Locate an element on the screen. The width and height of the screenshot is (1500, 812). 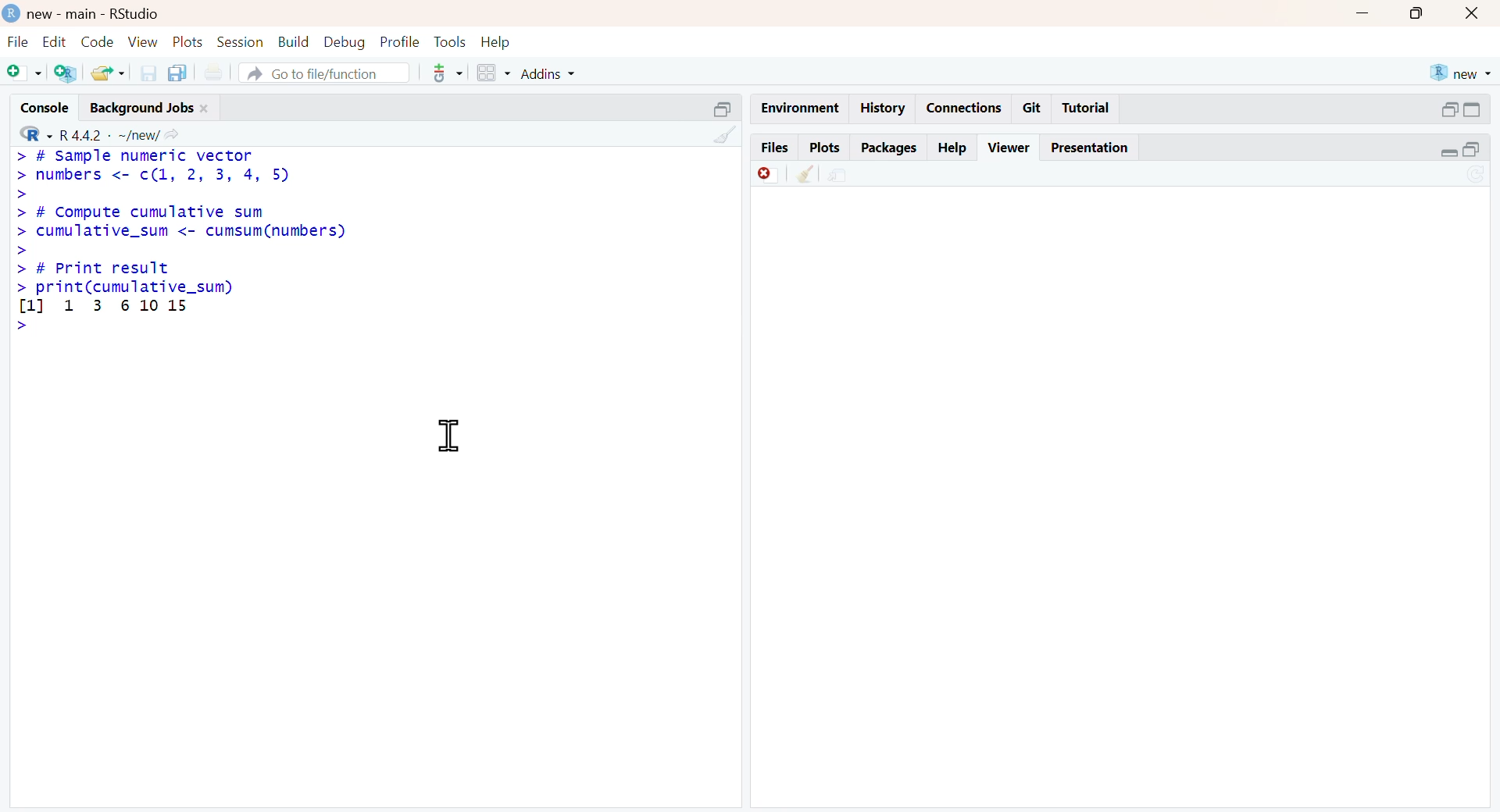
maximize is located at coordinates (1418, 13).